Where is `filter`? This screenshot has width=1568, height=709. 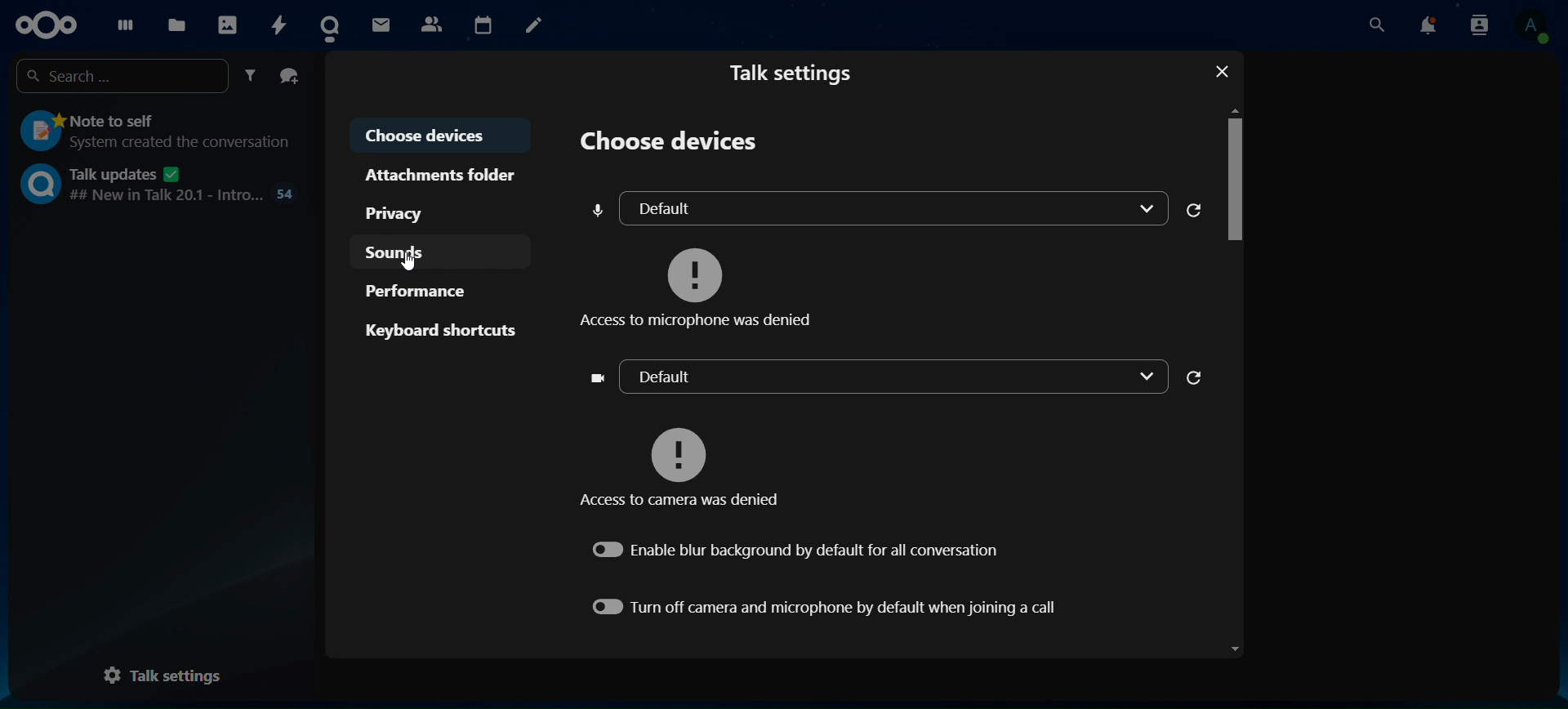
filter is located at coordinates (251, 77).